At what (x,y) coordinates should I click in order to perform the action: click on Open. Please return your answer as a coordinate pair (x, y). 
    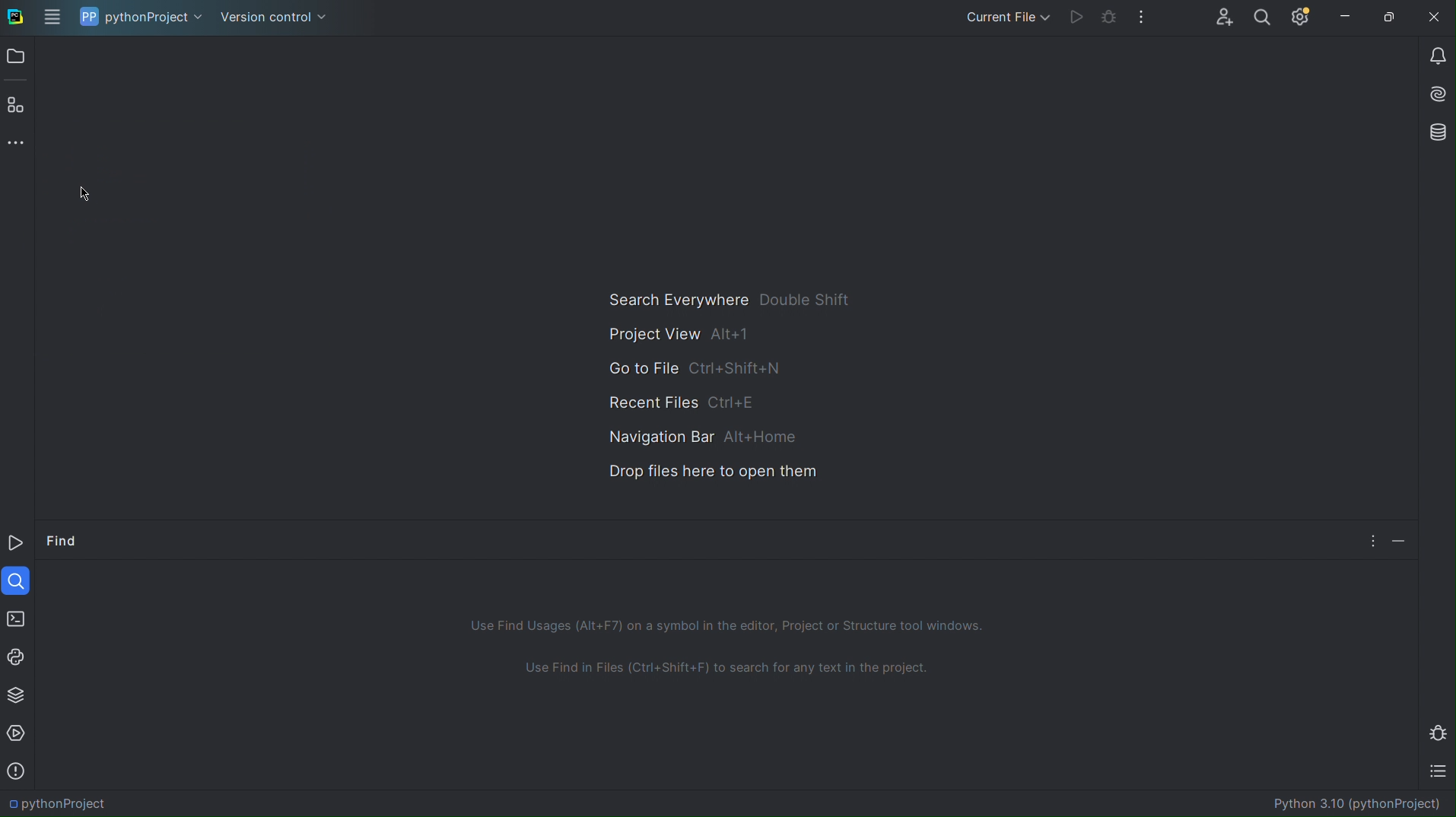
    Looking at the image, I should click on (17, 56).